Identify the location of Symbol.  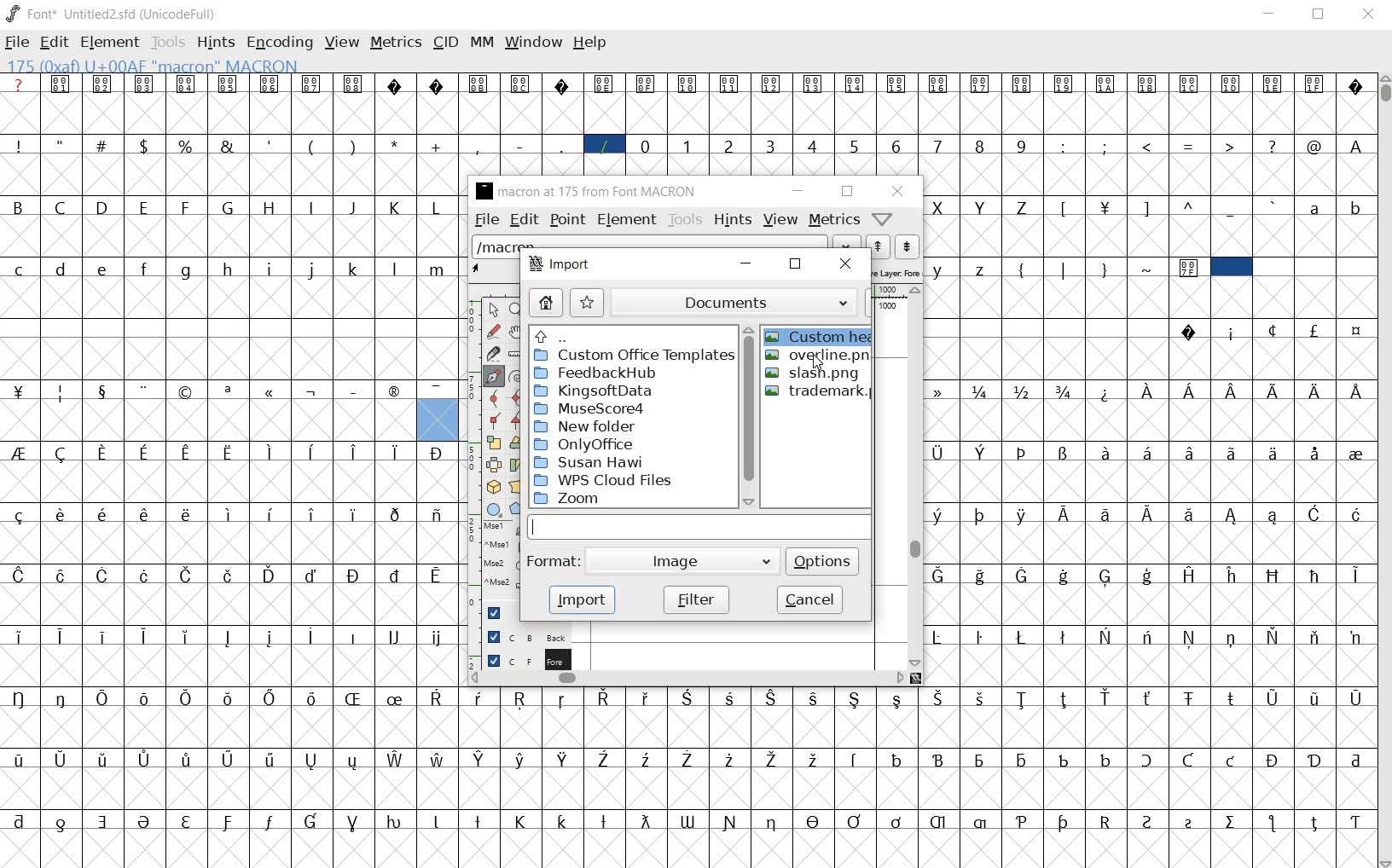
(1232, 389).